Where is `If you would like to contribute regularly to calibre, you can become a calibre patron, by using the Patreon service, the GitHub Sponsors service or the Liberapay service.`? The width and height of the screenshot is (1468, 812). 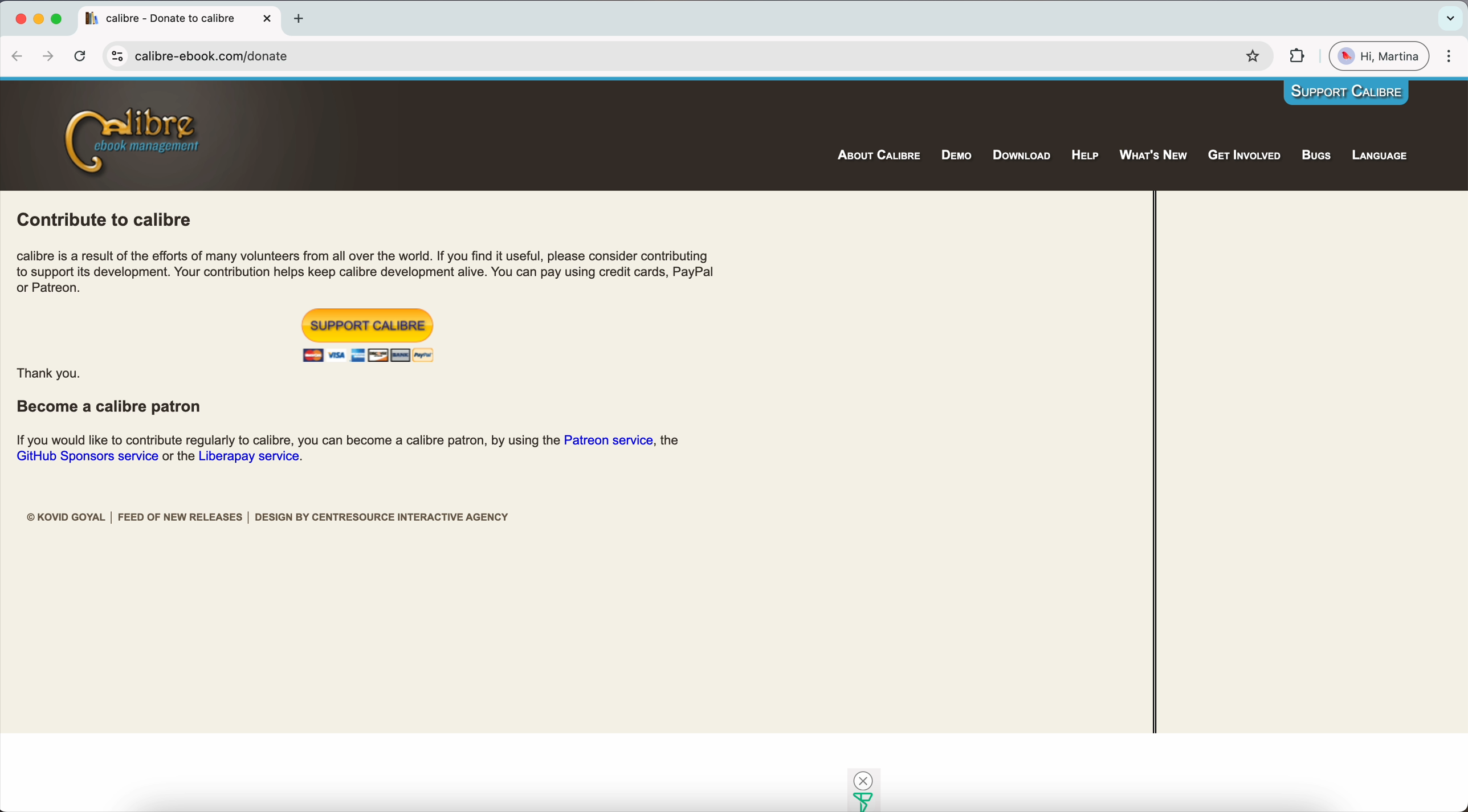 If you would like to contribute regularly to calibre, you can become a calibre patron, by using the Patreon service, the GitHub Sponsors service or the Liberapay service. is located at coordinates (349, 450).